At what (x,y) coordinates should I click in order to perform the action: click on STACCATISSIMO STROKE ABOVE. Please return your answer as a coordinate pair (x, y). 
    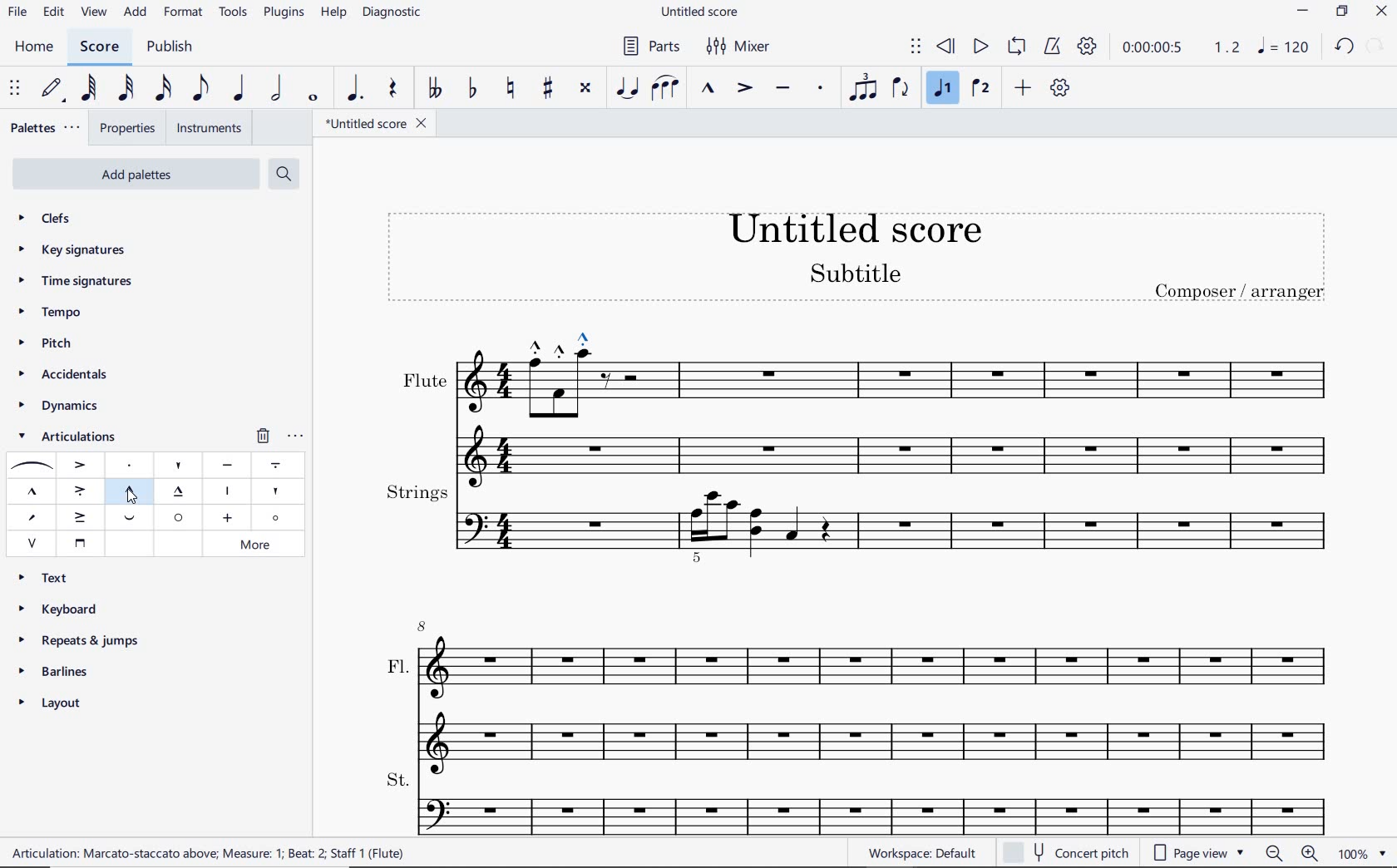
    Looking at the image, I should click on (226, 491).